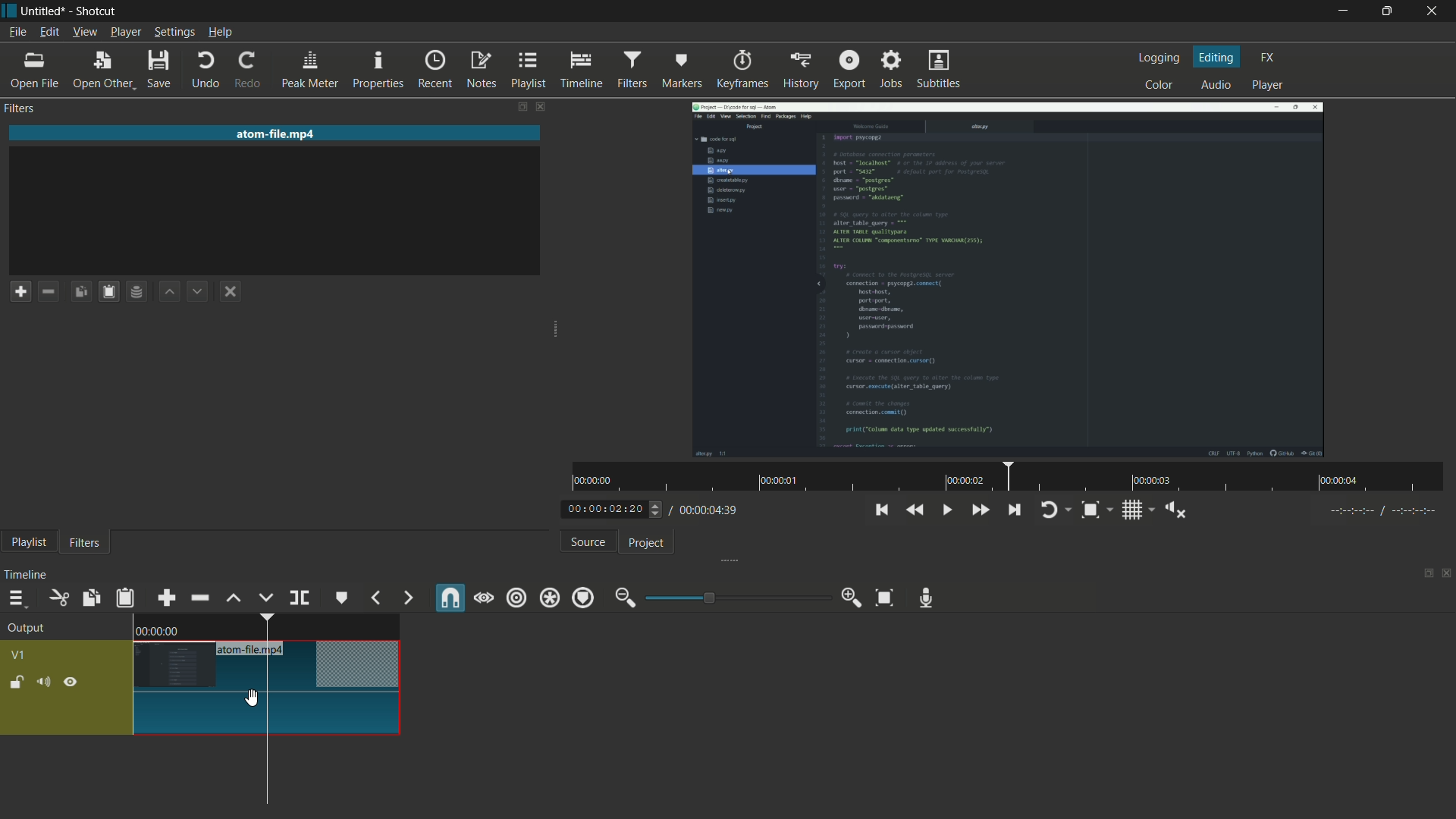 The height and width of the screenshot is (819, 1456). Describe the element at coordinates (1217, 83) in the screenshot. I see `audio` at that location.